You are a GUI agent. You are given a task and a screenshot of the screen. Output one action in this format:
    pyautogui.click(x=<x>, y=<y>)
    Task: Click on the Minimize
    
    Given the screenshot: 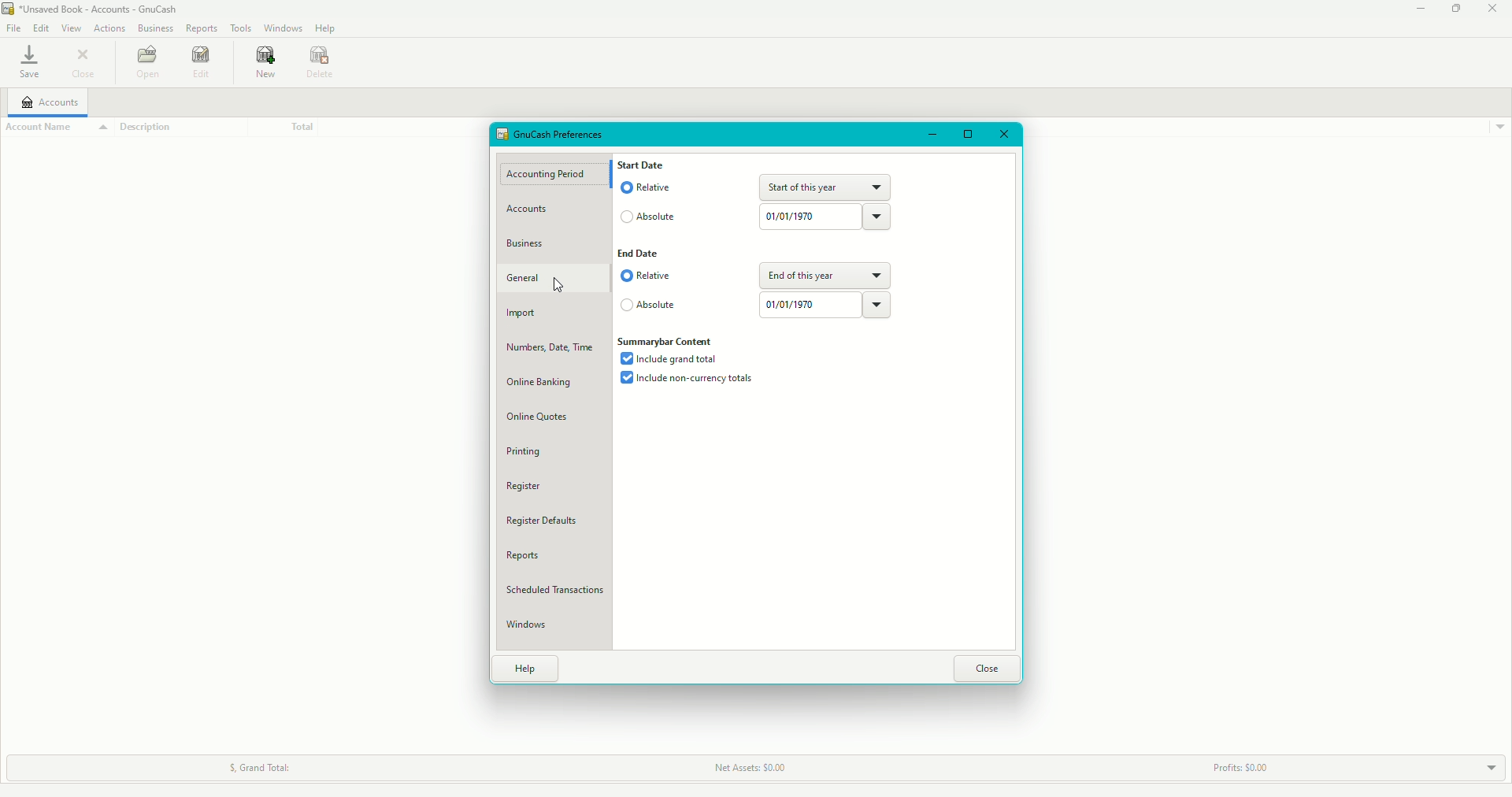 What is the action you would take?
    pyautogui.click(x=1417, y=9)
    